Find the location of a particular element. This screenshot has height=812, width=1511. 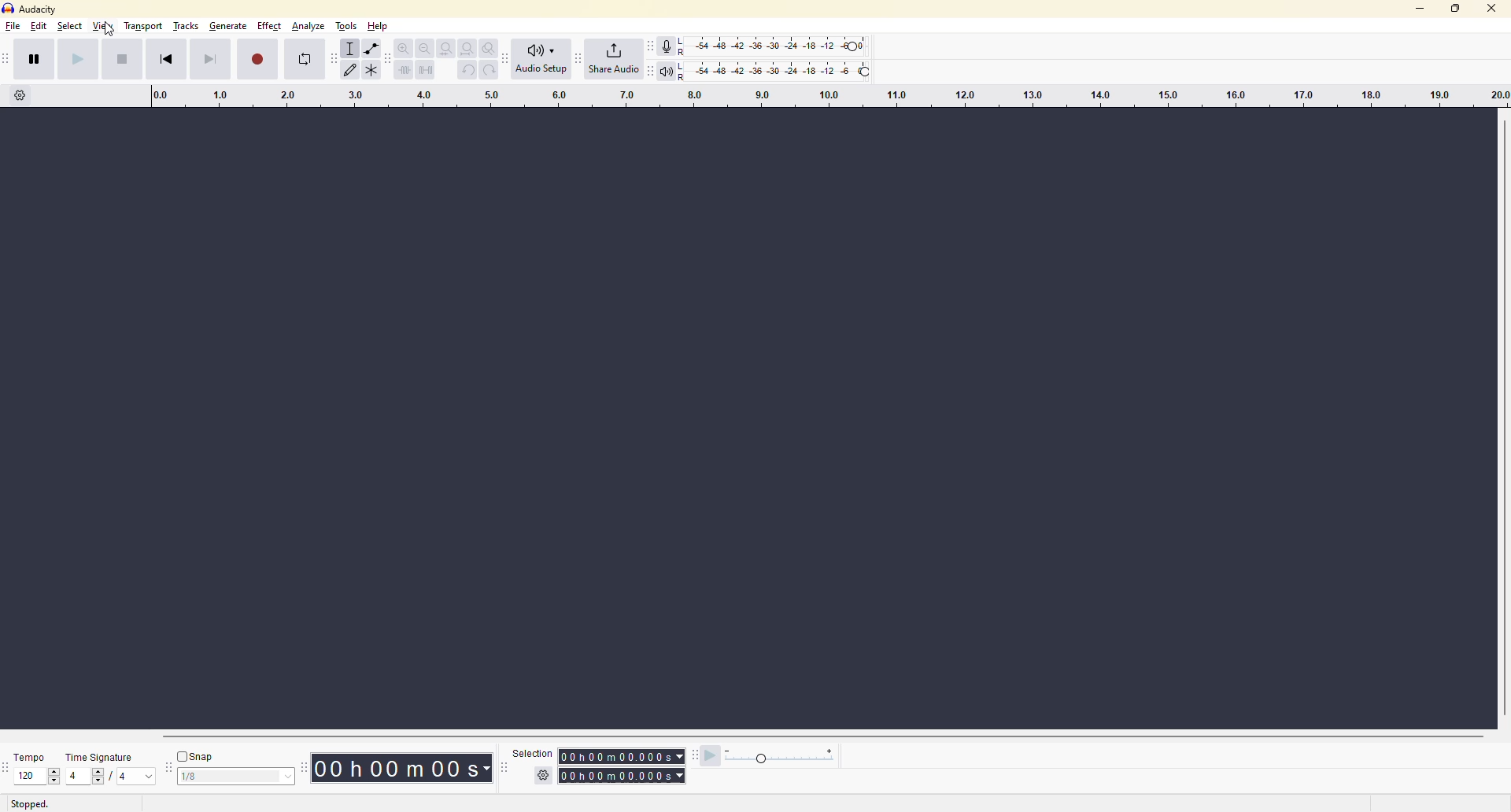

fit selection to width is located at coordinates (447, 50).